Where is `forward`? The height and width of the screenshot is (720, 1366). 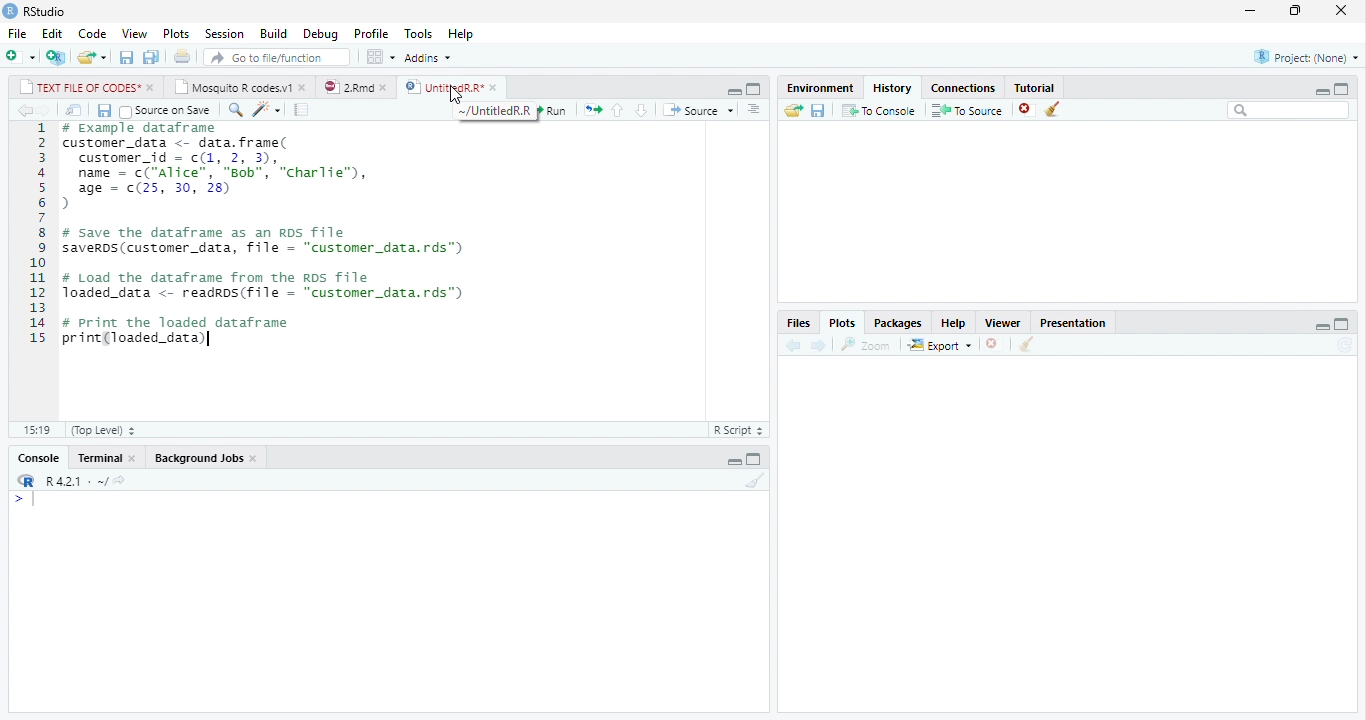 forward is located at coordinates (817, 345).